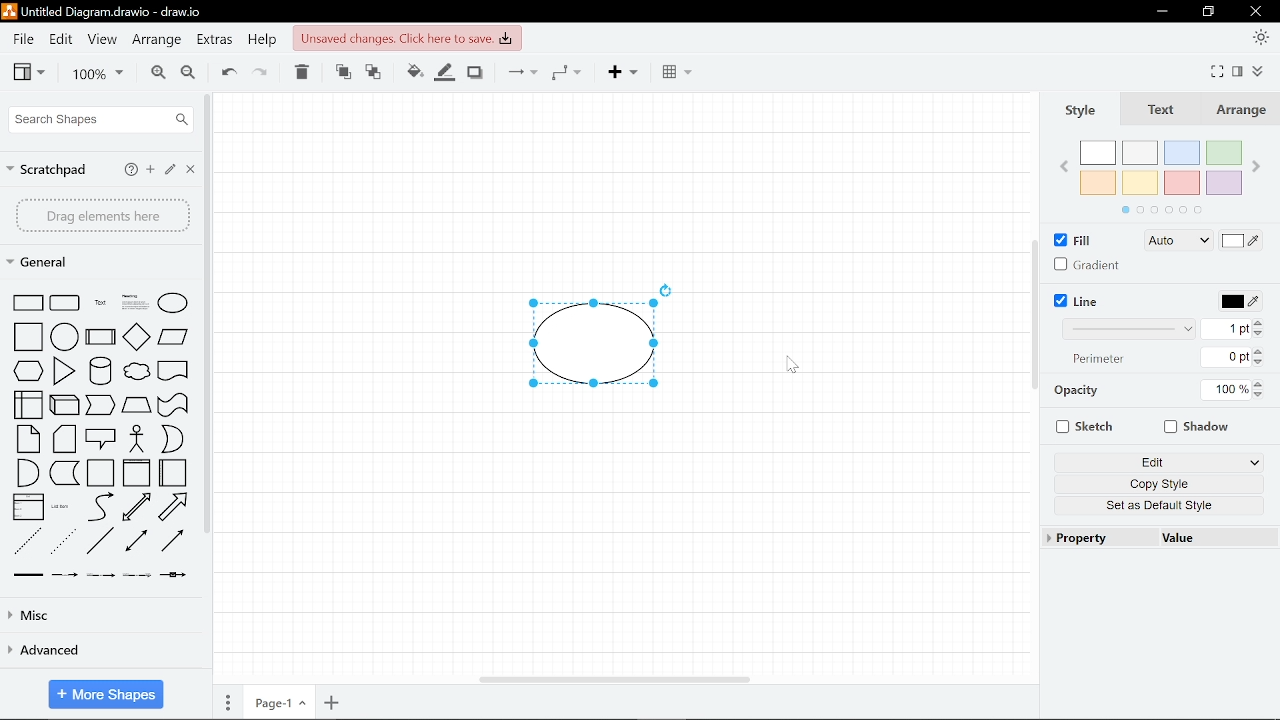 The width and height of the screenshot is (1280, 720). Describe the element at coordinates (134, 302) in the screenshot. I see `heading` at that location.